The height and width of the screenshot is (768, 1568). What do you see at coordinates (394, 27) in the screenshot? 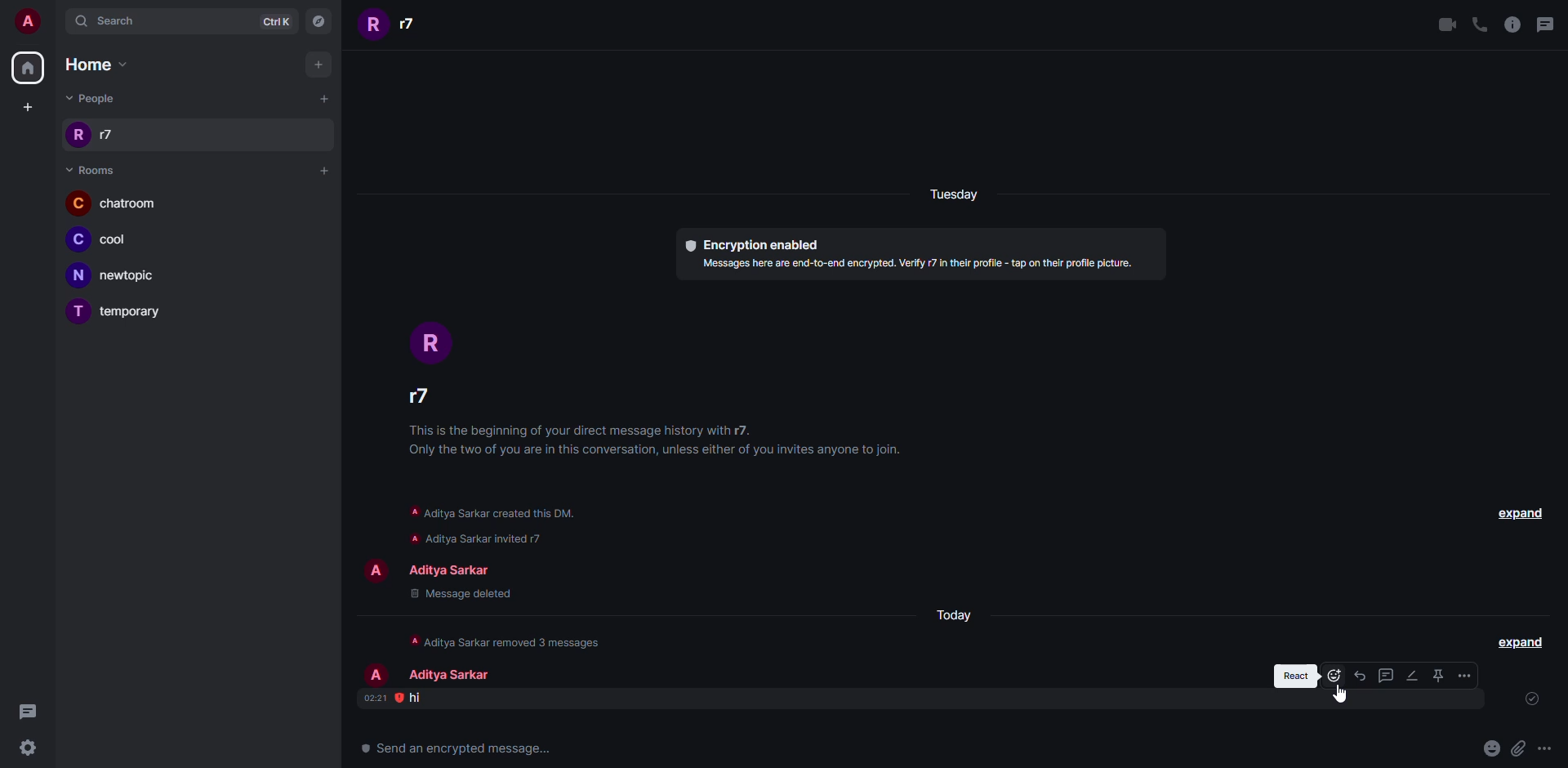
I see `people` at bounding box center [394, 27].